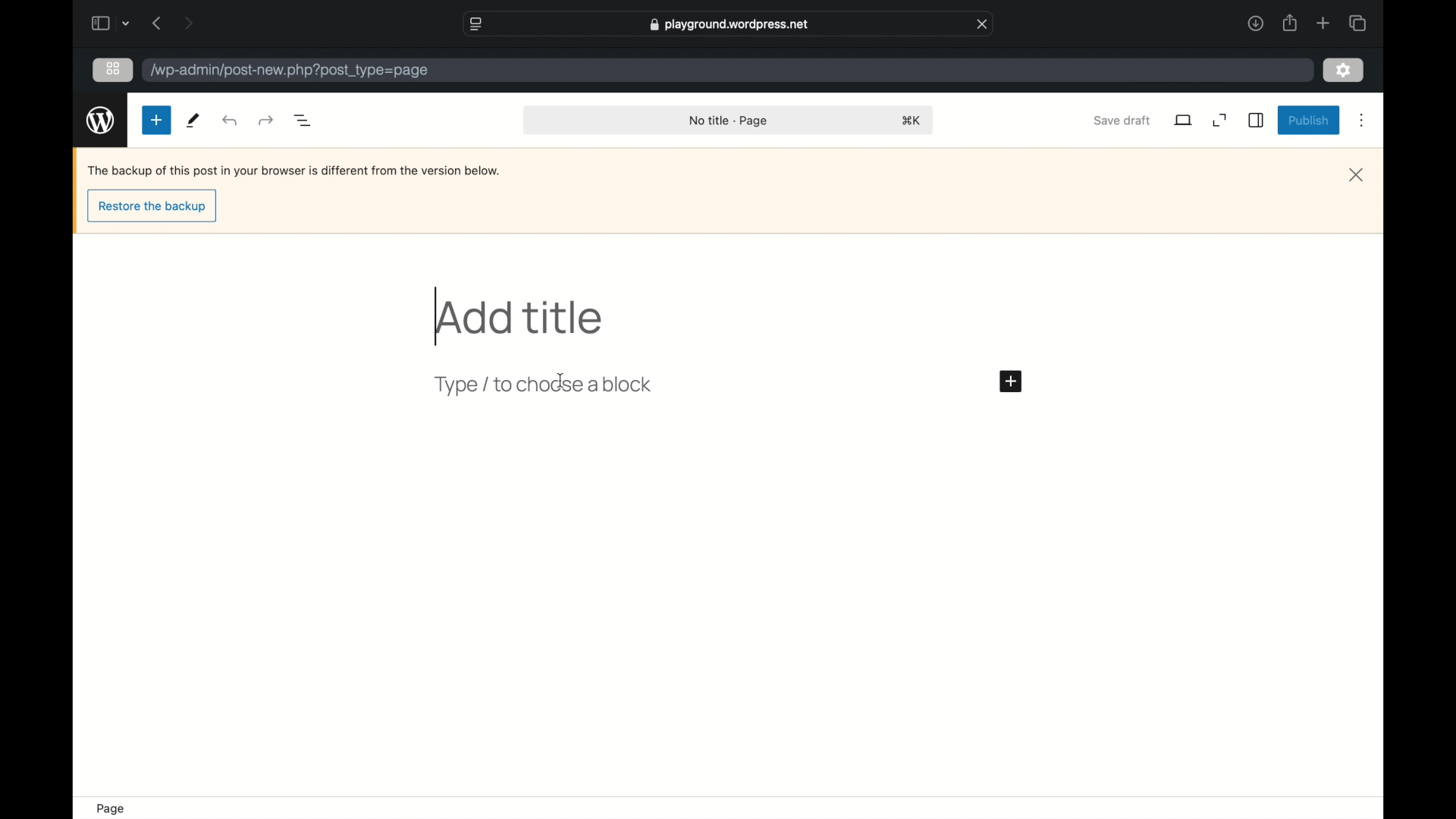 This screenshot has height=819, width=1456. Describe the element at coordinates (1291, 23) in the screenshot. I see `share` at that location.